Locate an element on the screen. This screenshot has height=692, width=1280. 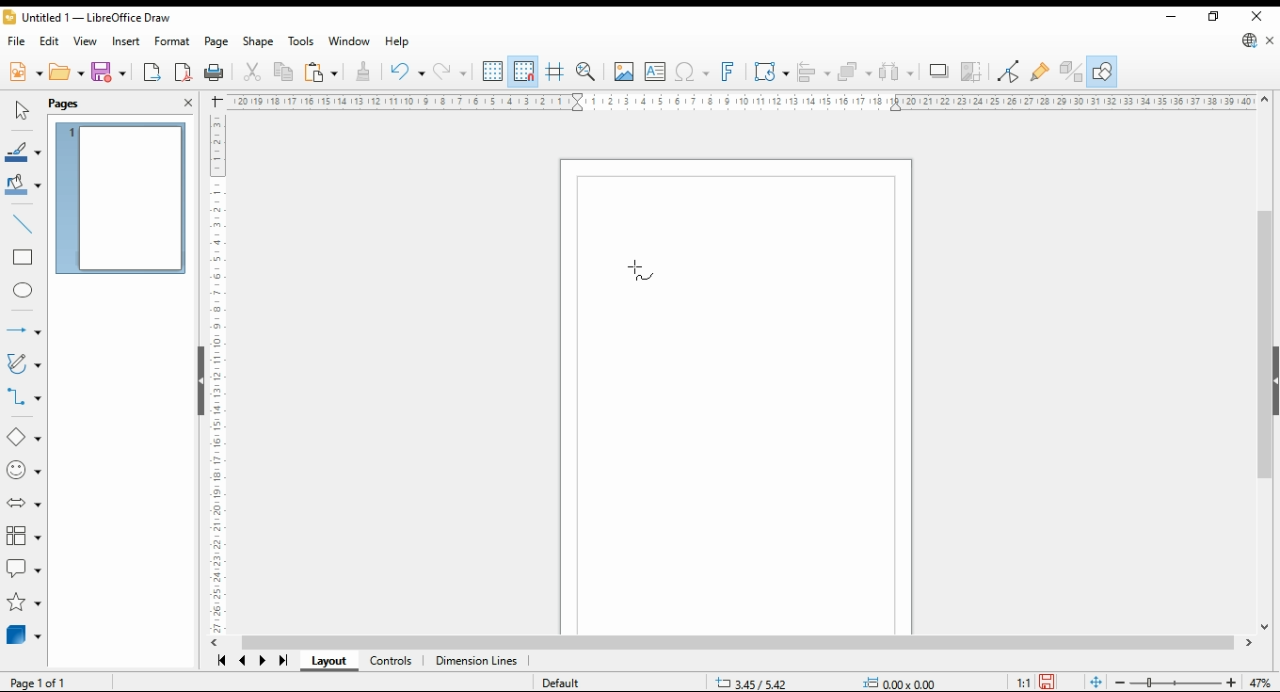
close pane is located at coordinates (186, 103).